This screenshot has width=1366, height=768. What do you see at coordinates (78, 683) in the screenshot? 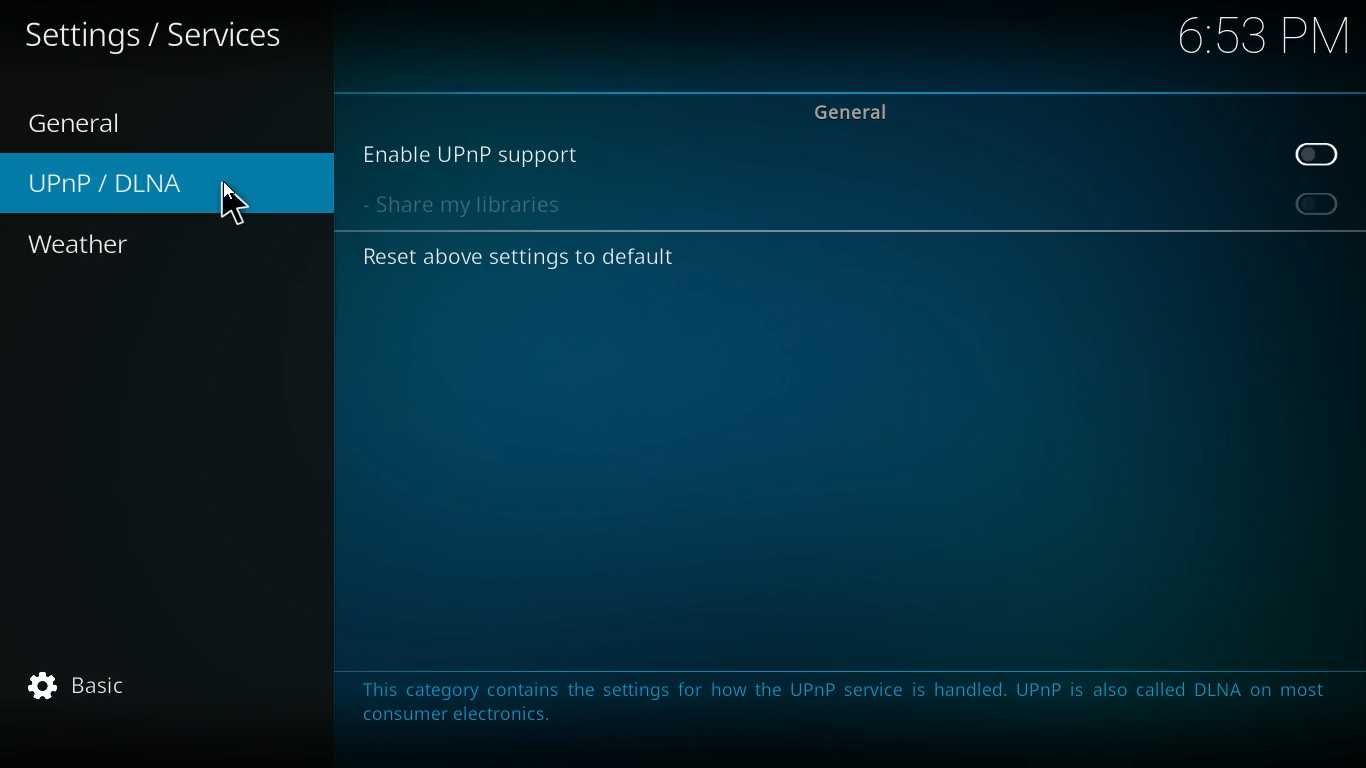
I see `£3 Basic` at bounding box center [78, 683].